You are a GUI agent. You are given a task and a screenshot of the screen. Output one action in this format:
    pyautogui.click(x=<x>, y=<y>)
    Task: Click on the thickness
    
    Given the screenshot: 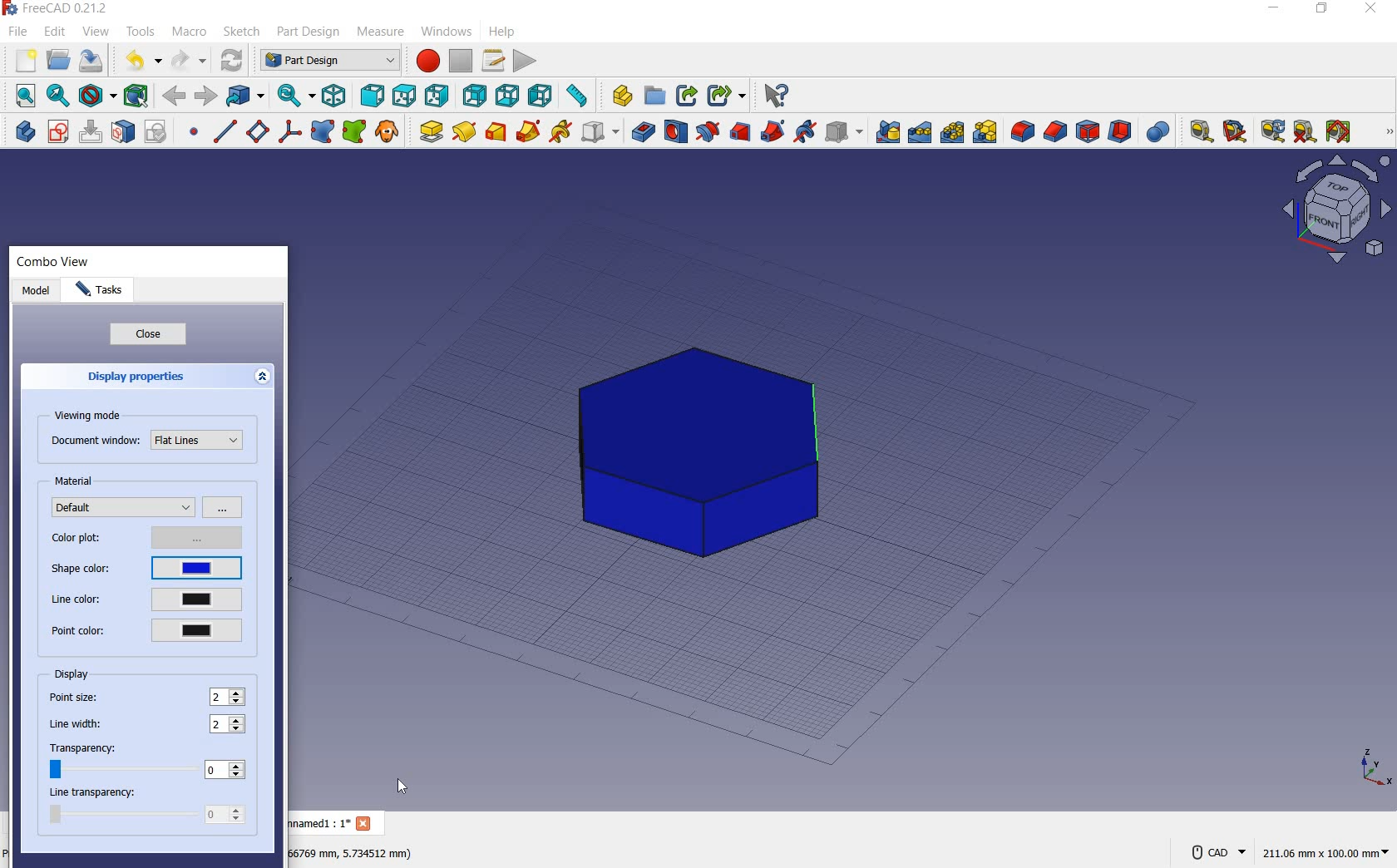 What is the action you would take?
    pyautogui.click(x=1121, y=133)
    